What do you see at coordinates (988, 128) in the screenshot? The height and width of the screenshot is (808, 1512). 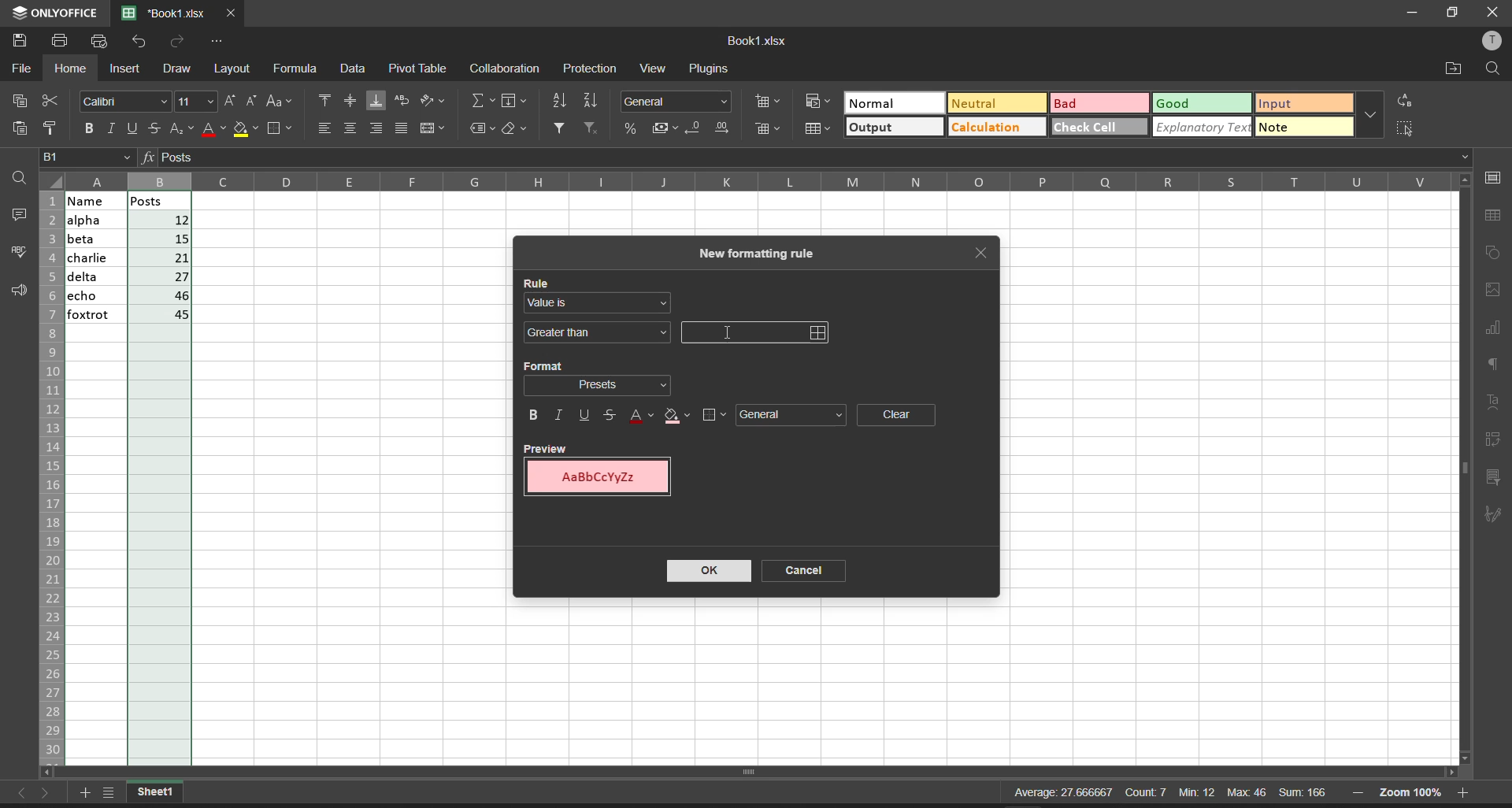 I see `Calculation` at bounding box center [988, 128].